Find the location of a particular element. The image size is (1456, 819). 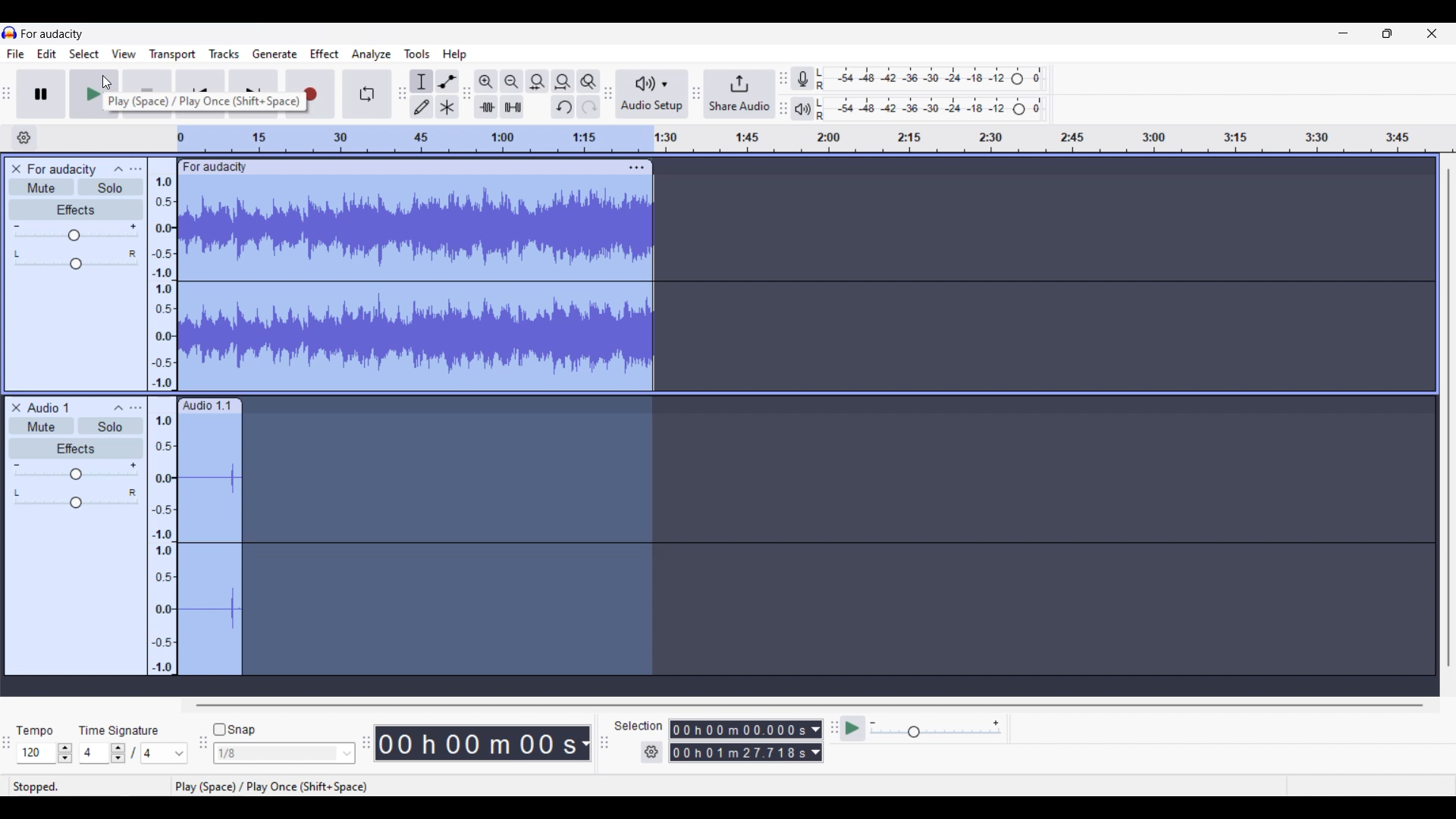

solo is located at coordinates (111, 425).